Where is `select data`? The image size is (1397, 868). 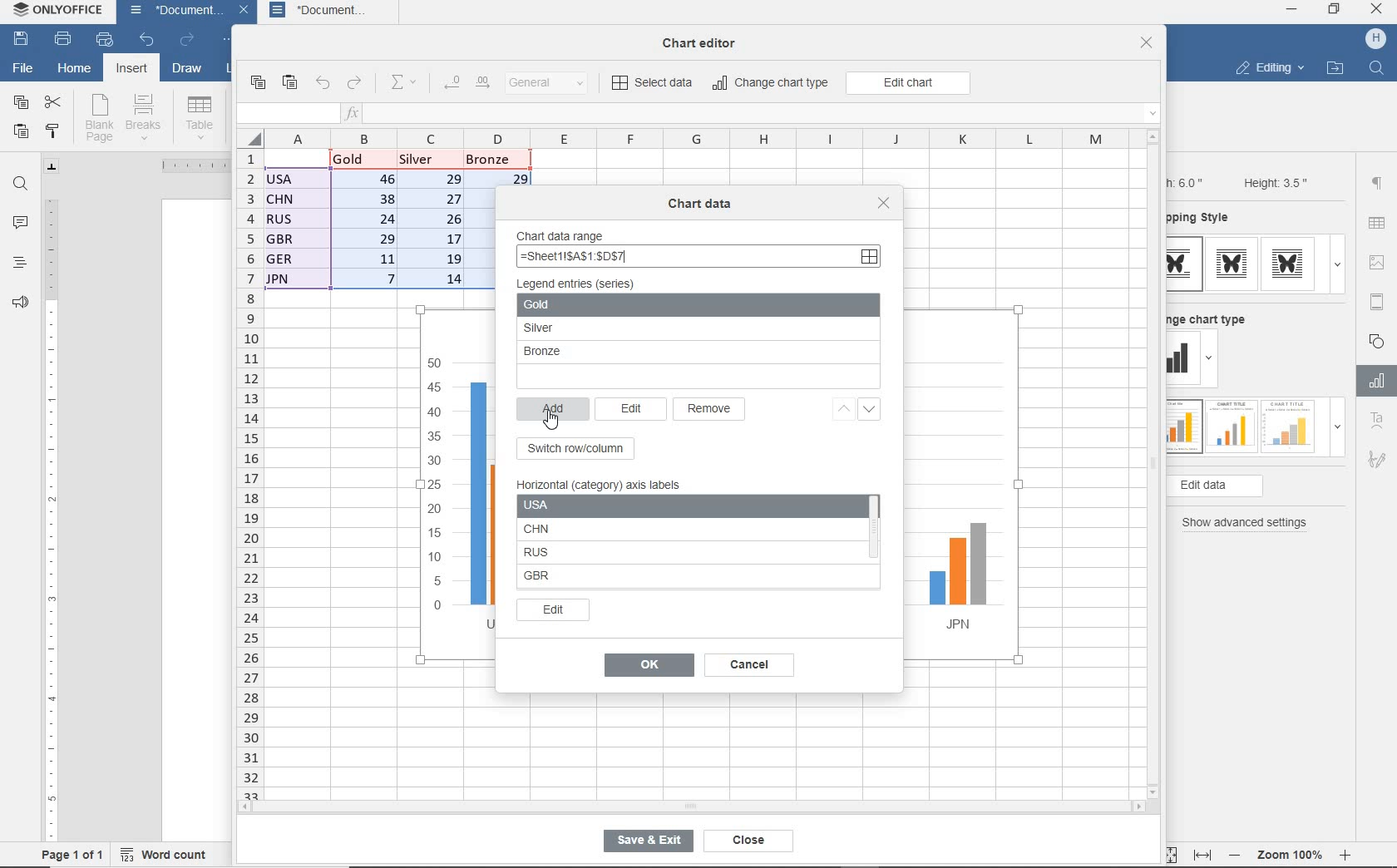
select data is located at coordinates (654, 84).